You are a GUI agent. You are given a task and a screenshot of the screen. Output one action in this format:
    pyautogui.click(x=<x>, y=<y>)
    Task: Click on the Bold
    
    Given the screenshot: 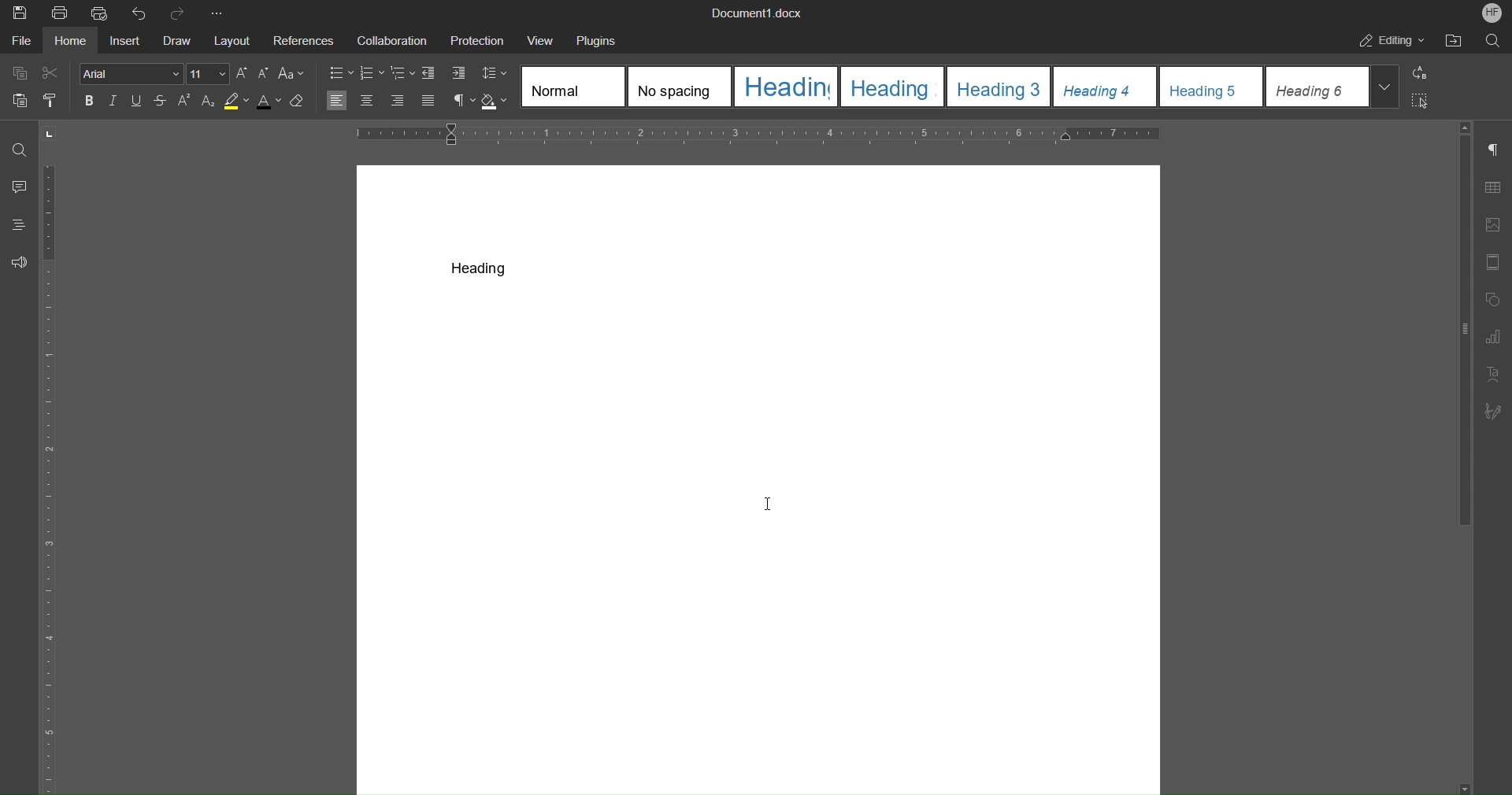 What is the action you would take?
    pyautogui.click(x=90, y=102)
    